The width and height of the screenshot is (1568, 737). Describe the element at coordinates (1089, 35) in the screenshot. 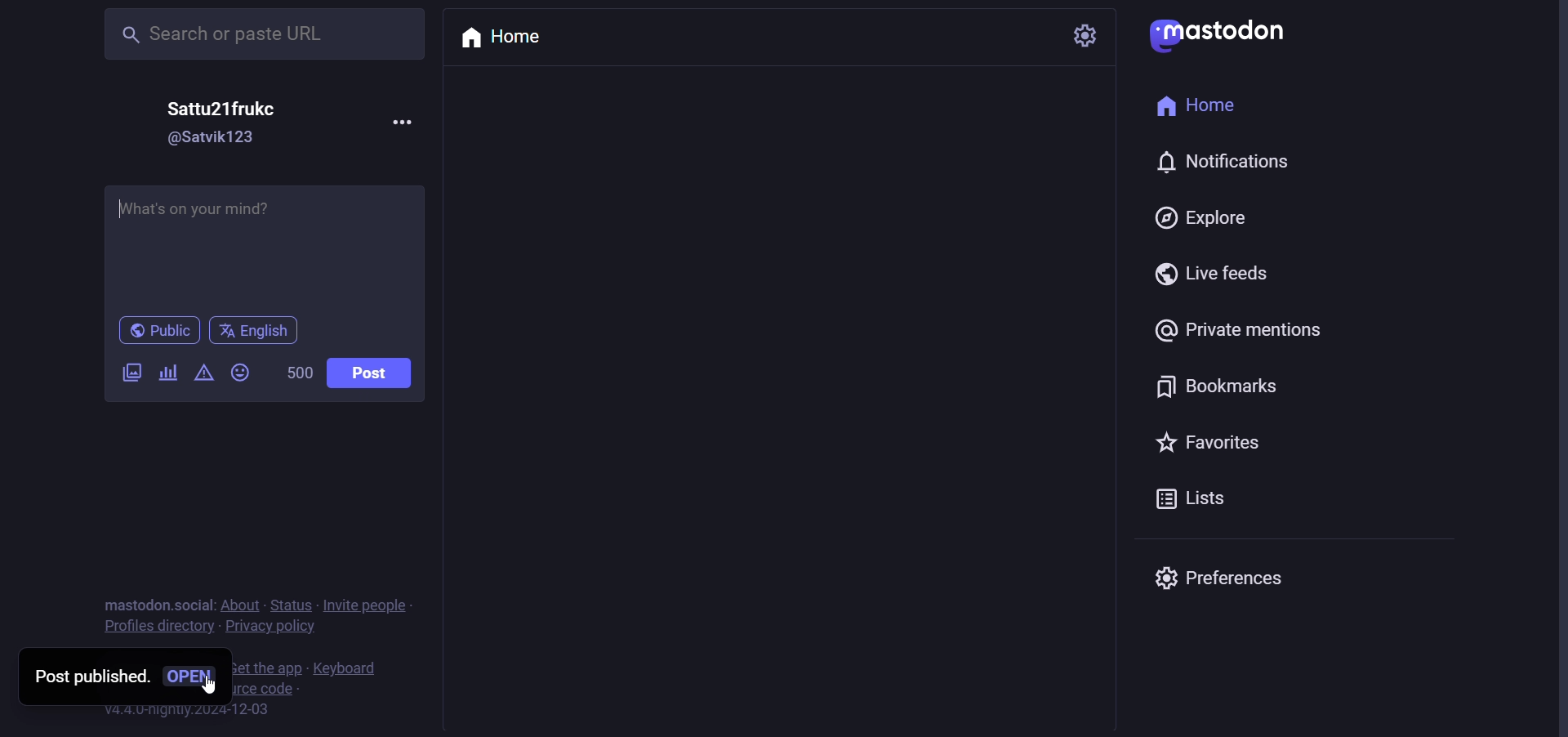

I see `setting` at that location.